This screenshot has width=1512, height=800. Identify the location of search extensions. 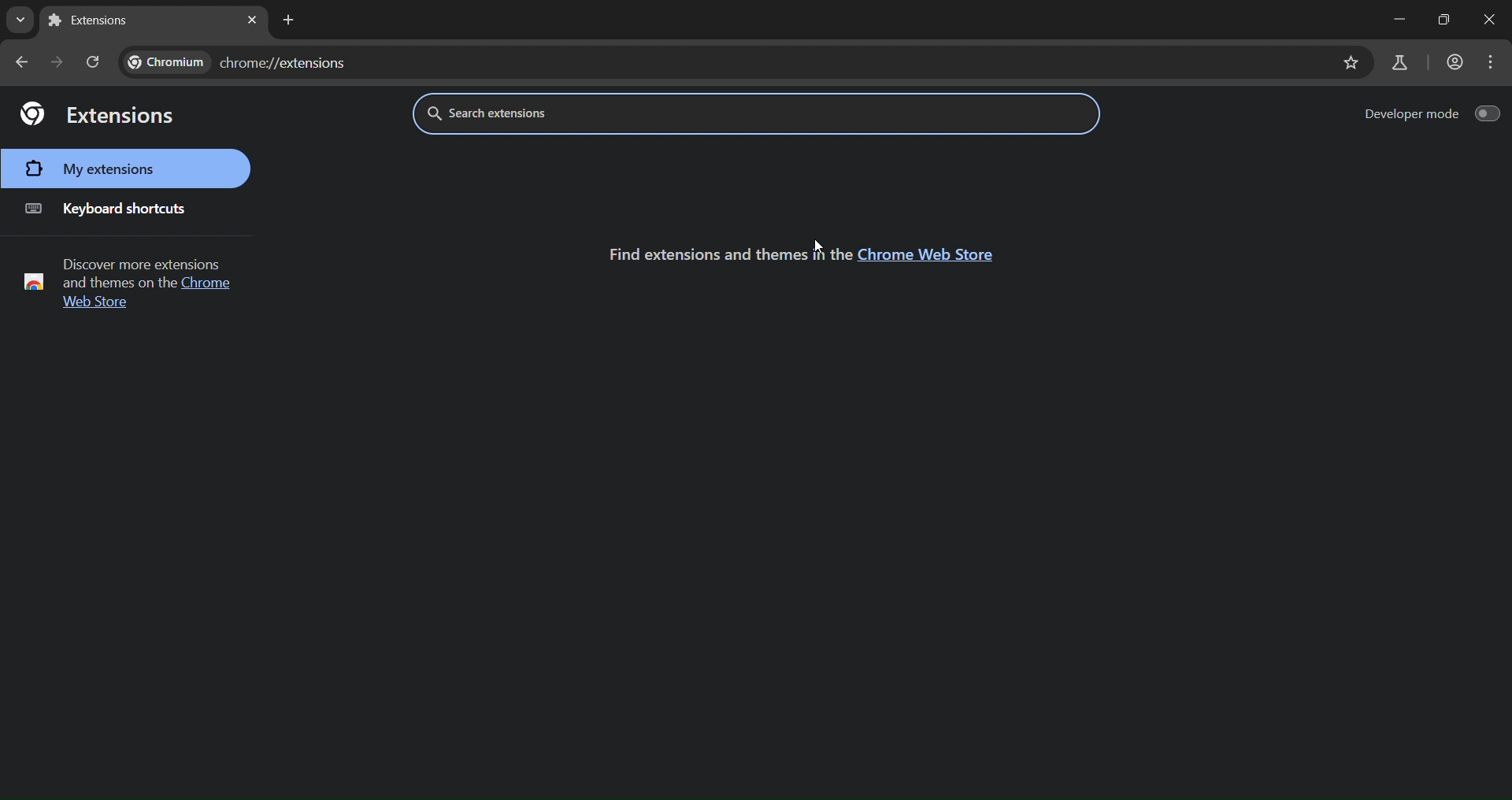
(747, 114).